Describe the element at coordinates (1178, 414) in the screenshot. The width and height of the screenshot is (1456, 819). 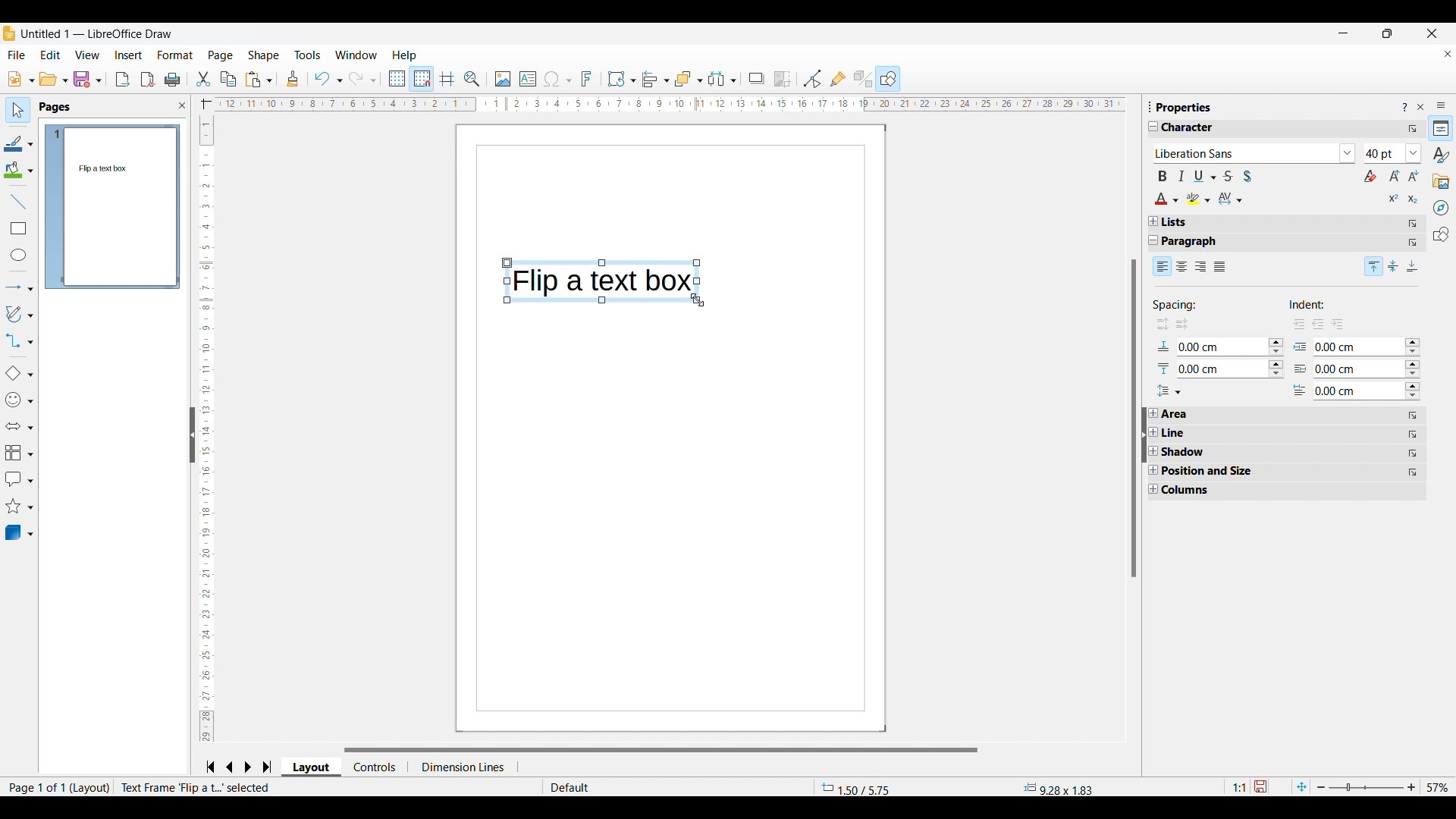
I see `Area property` at that location.